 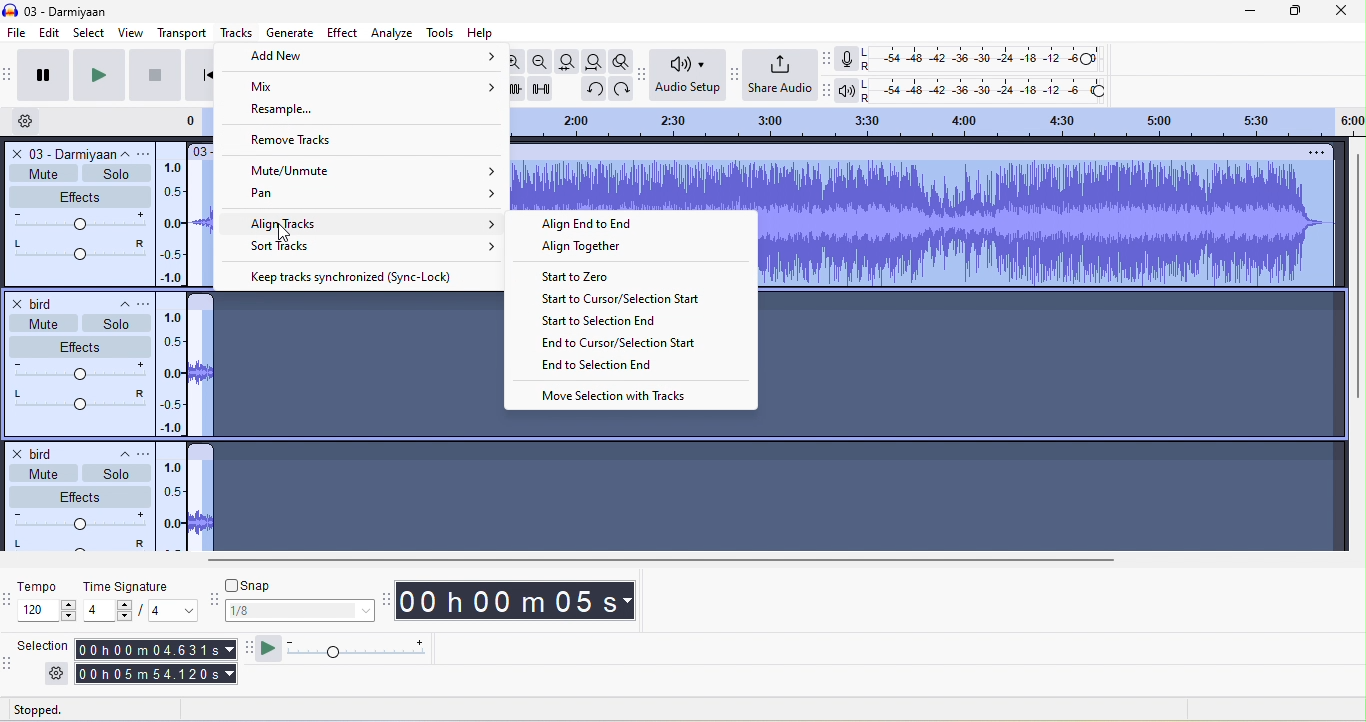 I want to click on 00 h 00 m 05 s, so click(x=526, y=603).